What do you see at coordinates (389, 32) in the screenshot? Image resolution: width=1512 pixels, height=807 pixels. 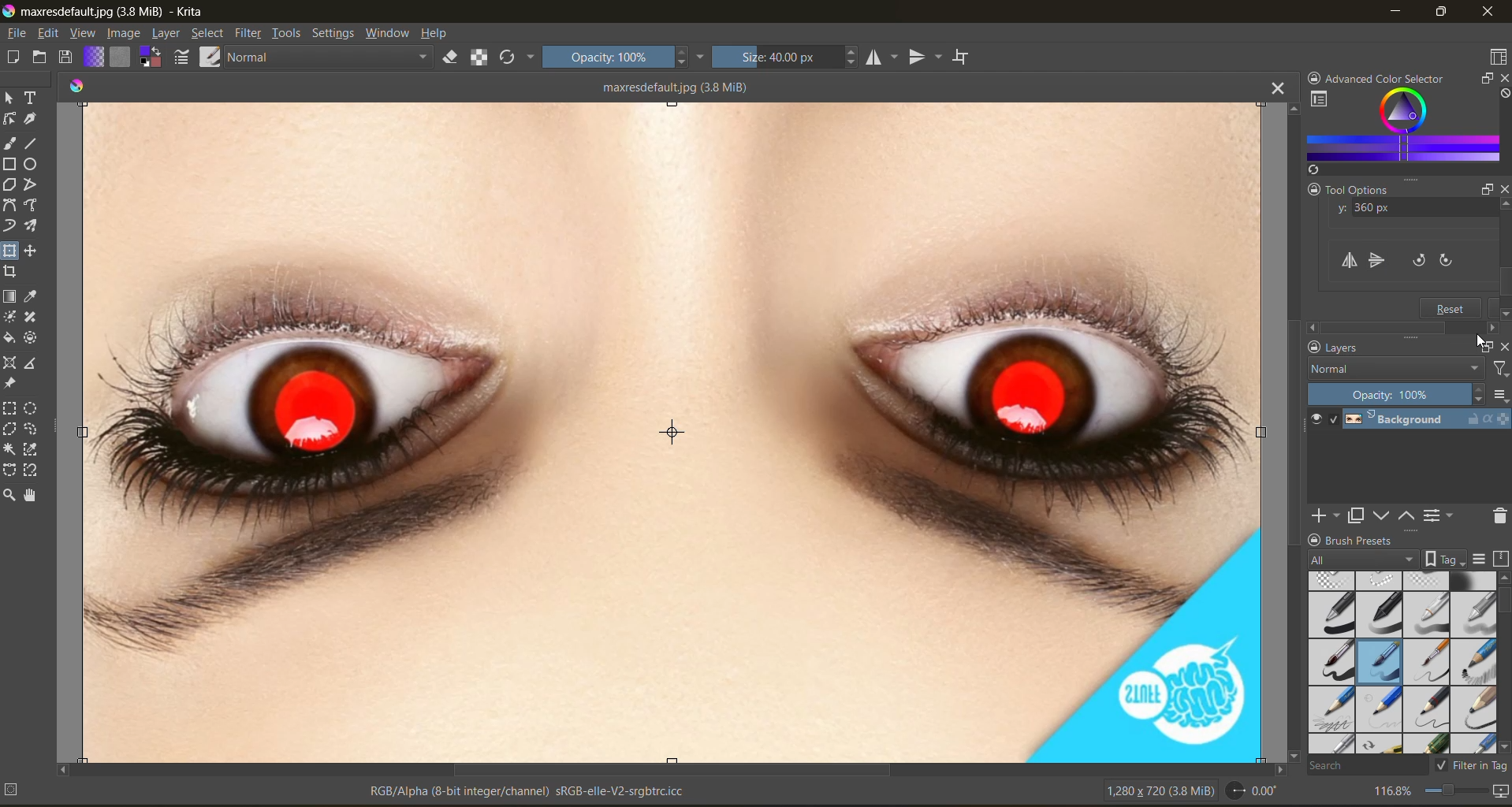 I see `window` at bounding box center [389, 32].